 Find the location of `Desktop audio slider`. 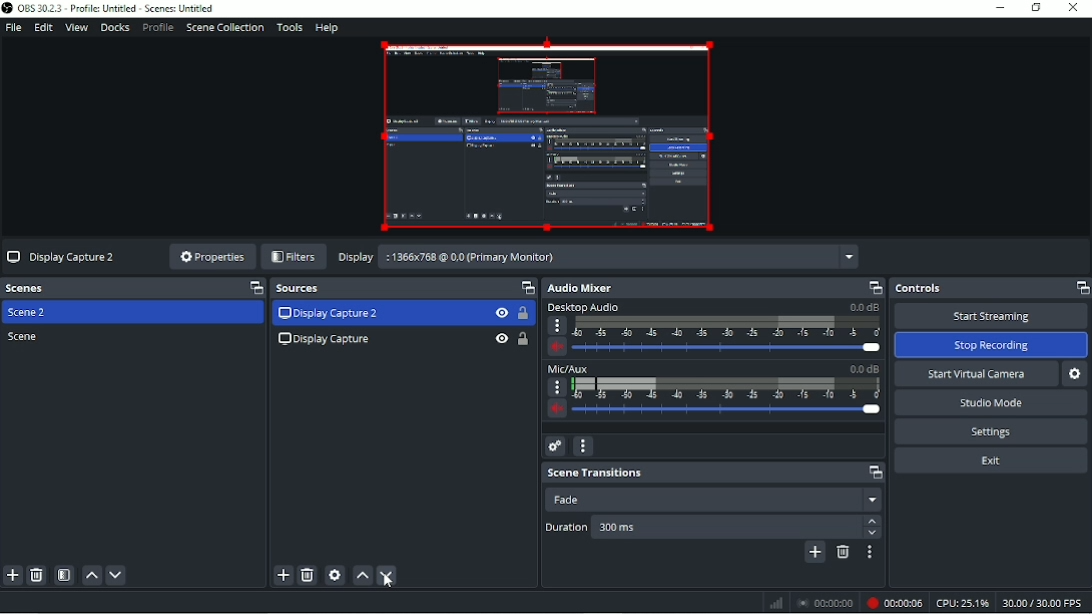

Desktop audio slider is located at coordinates (712, 330).